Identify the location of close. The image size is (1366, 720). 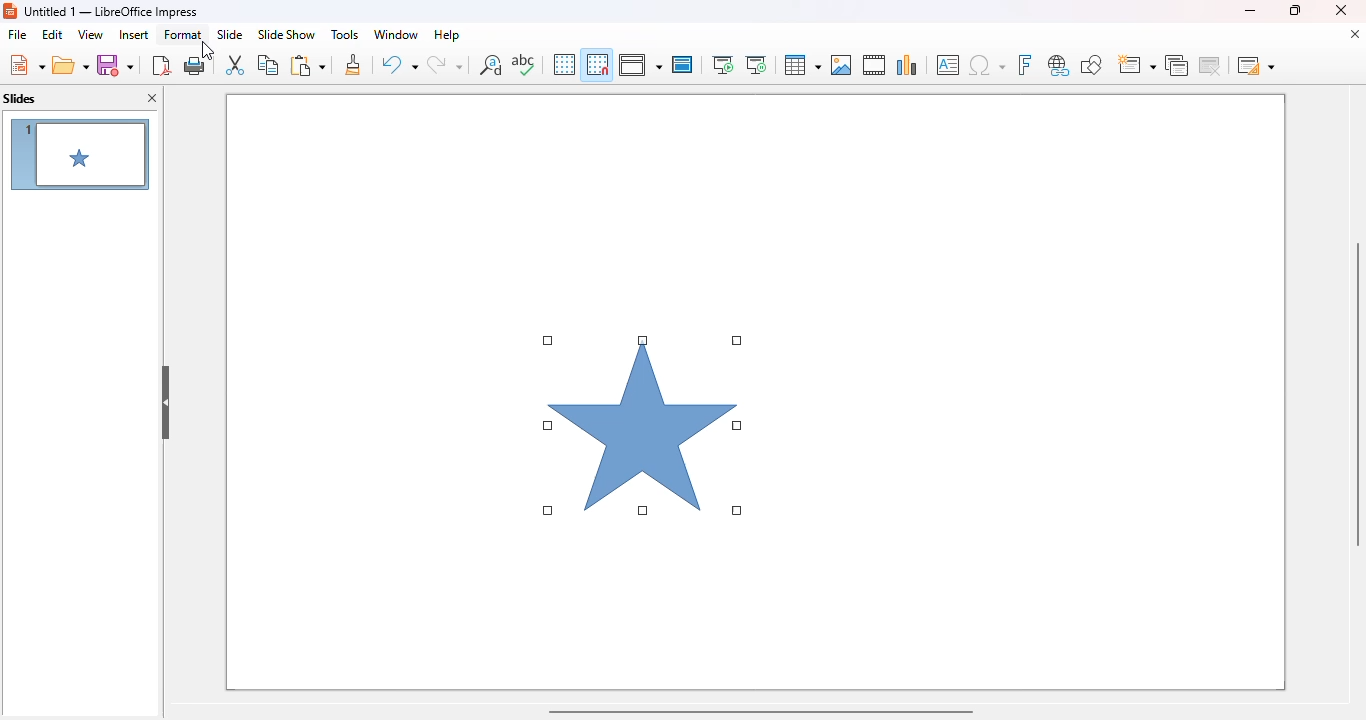
(1341, 10).